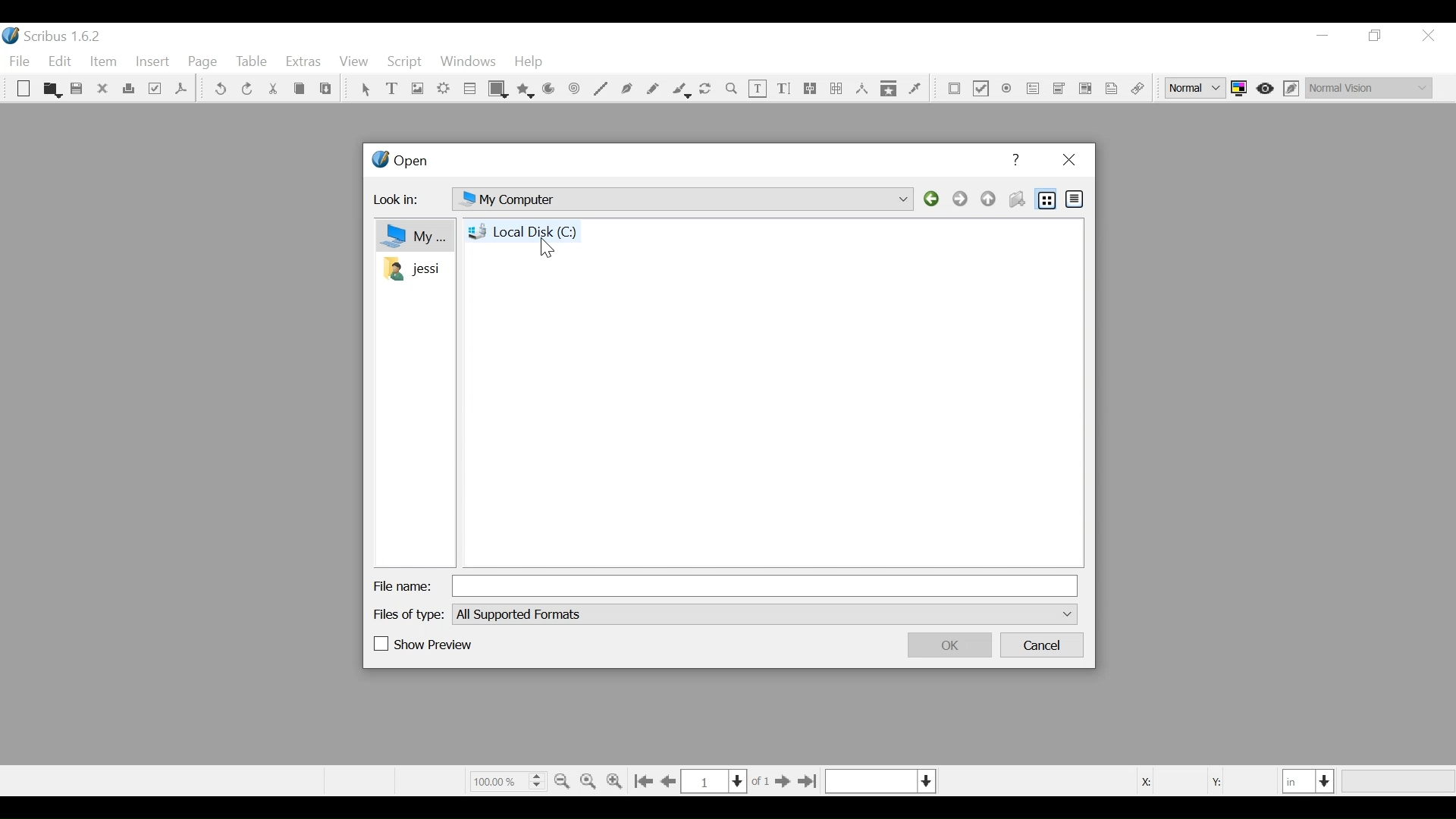 The width and height of the screenshot is (1456, 819). What do you see at coordinates (468, 63) in the screenshot?
I see `Windows` at bounding box center [468, 63].